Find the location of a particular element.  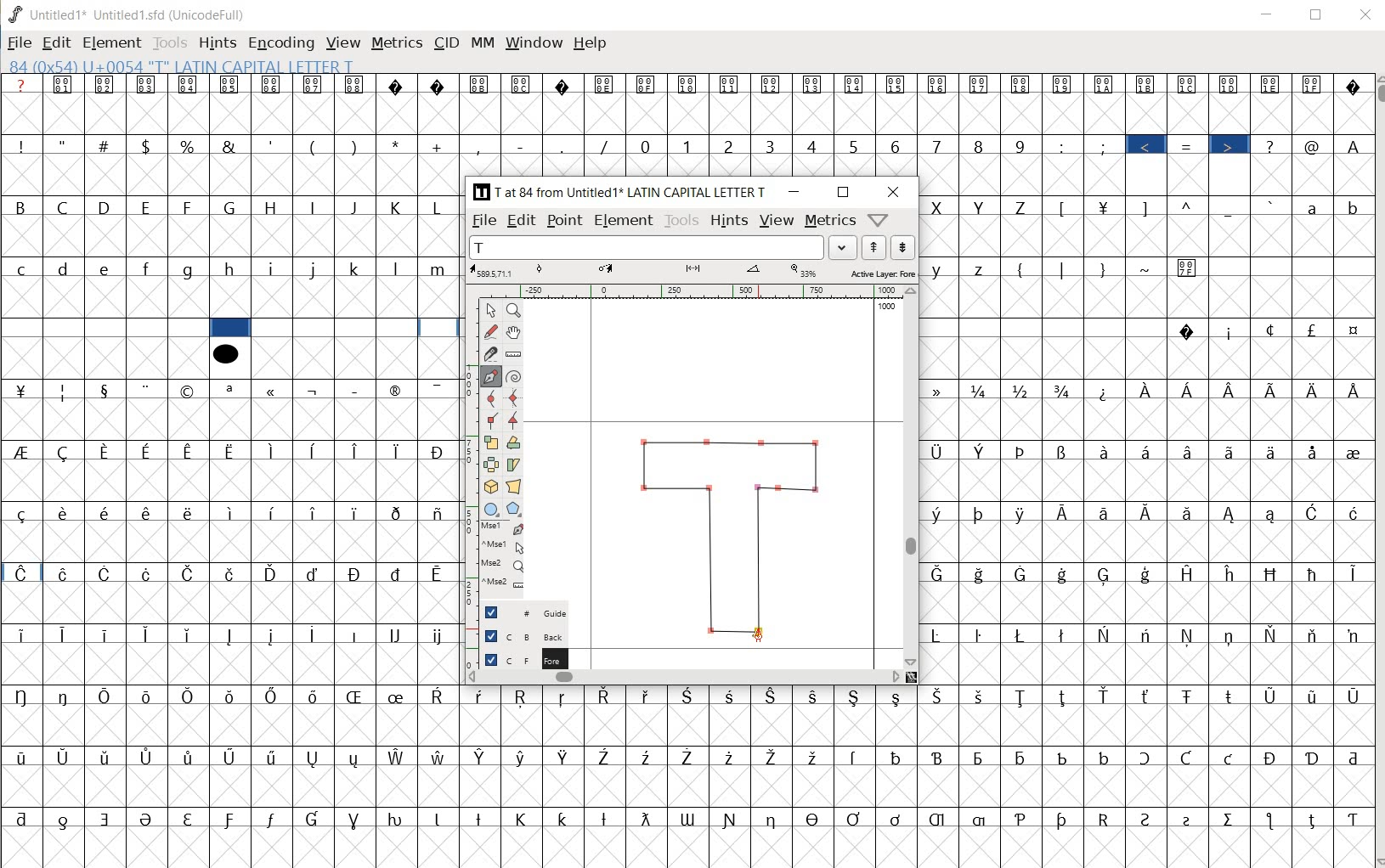

Symbol is located at coordinates (1231, 818).